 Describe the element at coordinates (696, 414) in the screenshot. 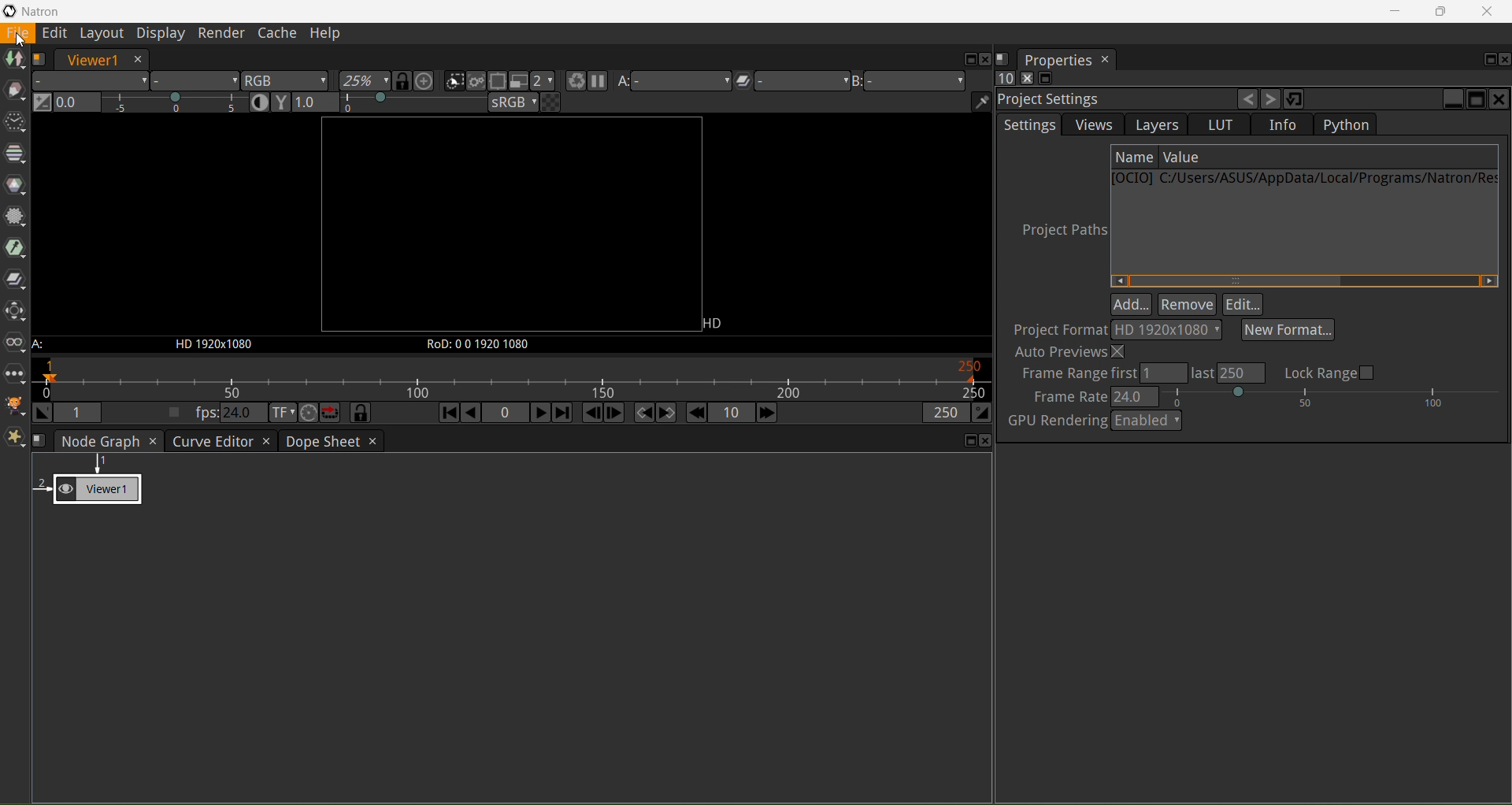

I see `Previous Increment` at that location.